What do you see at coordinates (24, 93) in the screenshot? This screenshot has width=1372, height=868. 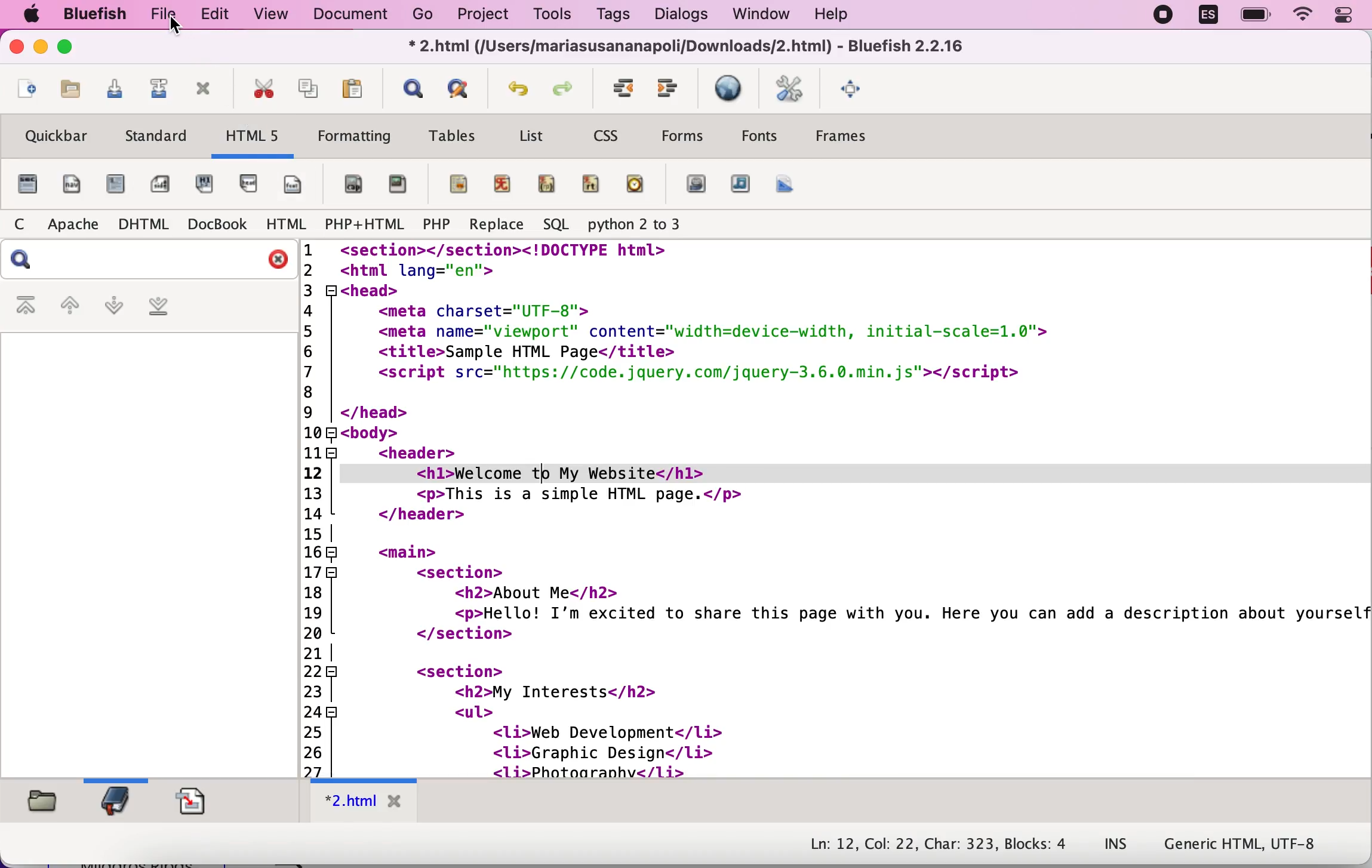 I see `new file` at bounding box center [24, 93].